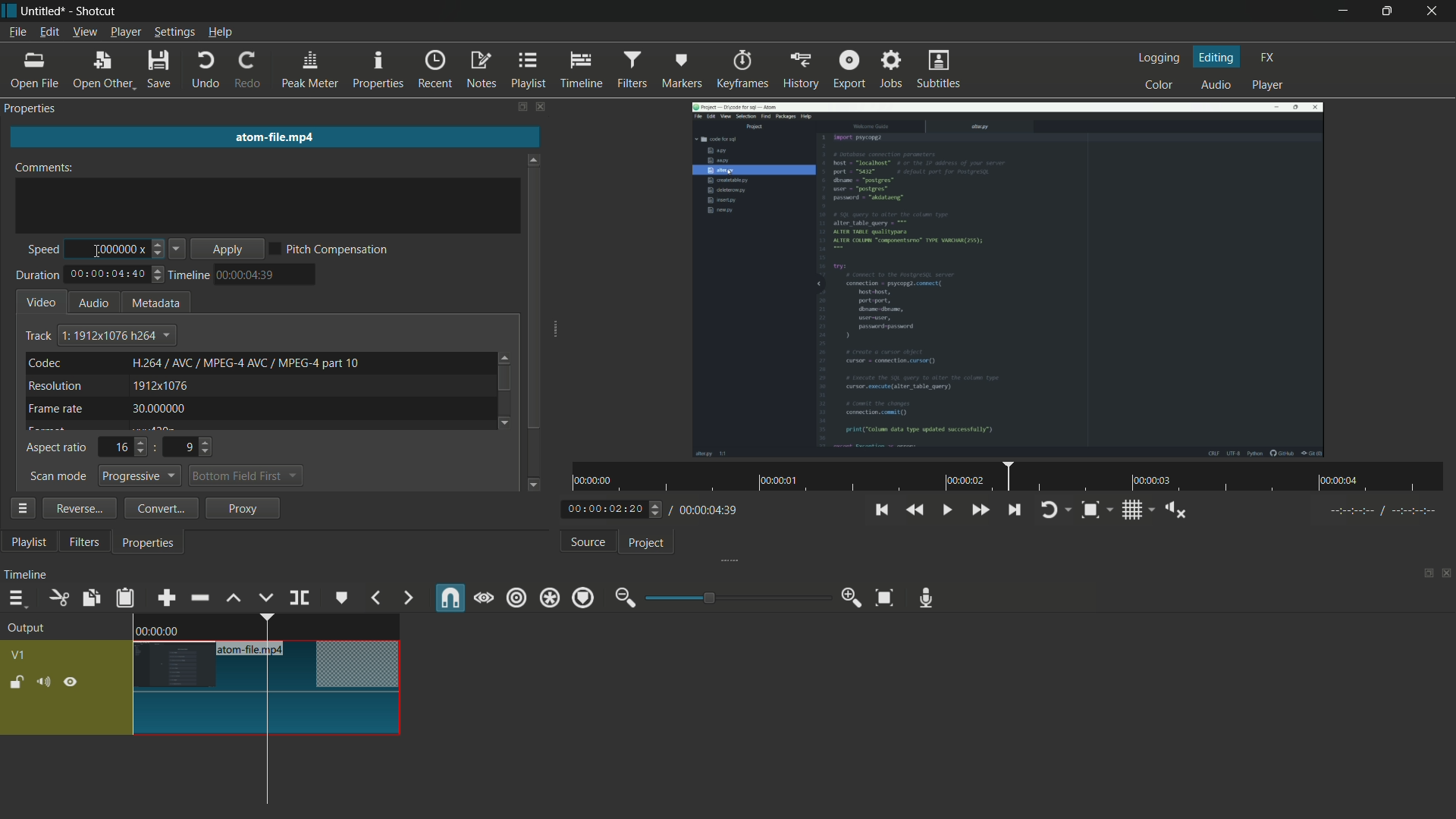 The width and height of the screenshot is (1456, 819). What do you see at coordinates (543, 108) in the screenshot?
I see `close filters` at bounding box center [543, 108].